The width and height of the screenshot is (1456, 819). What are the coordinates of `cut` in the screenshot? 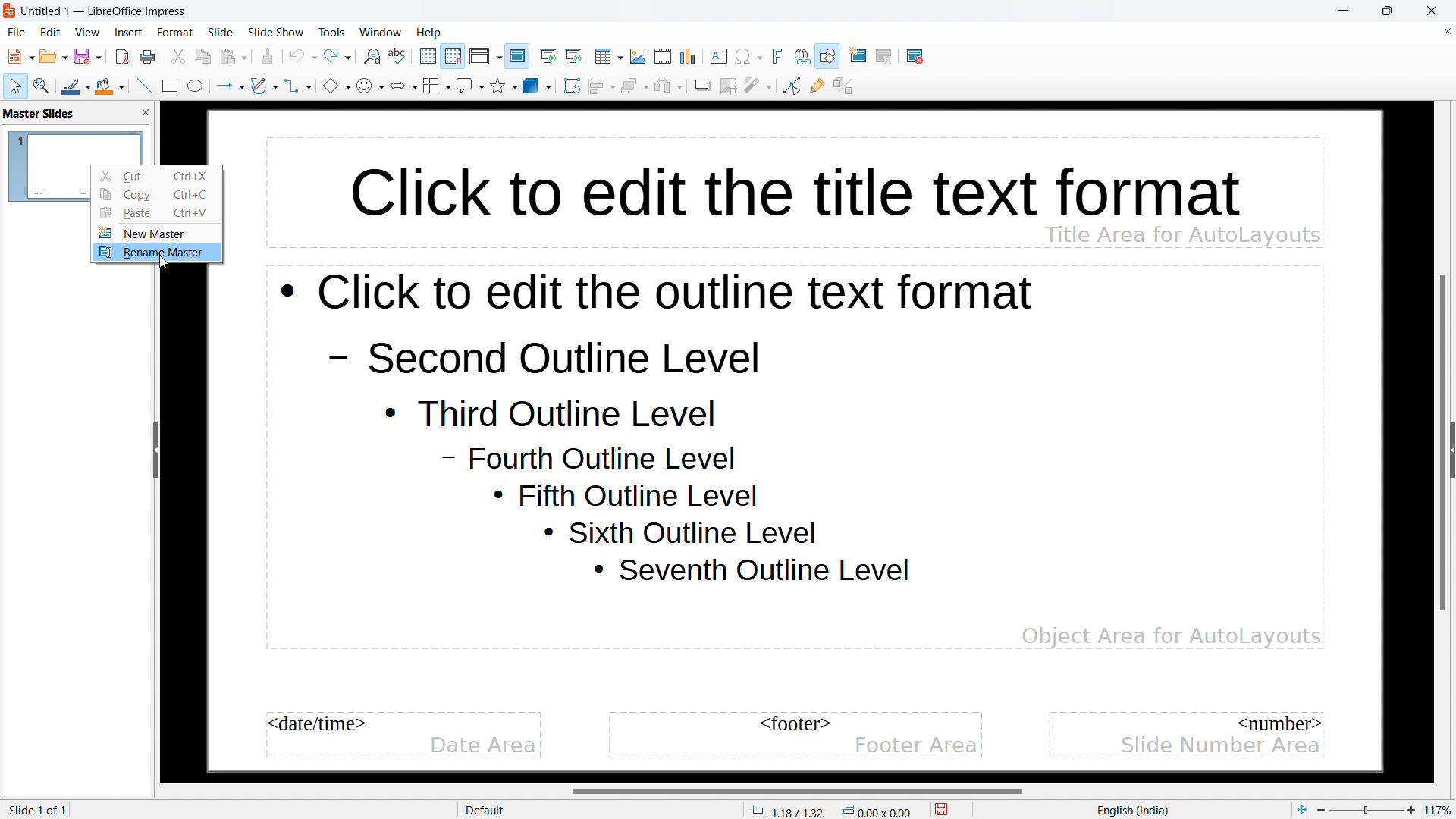 It's located at (178, 57).